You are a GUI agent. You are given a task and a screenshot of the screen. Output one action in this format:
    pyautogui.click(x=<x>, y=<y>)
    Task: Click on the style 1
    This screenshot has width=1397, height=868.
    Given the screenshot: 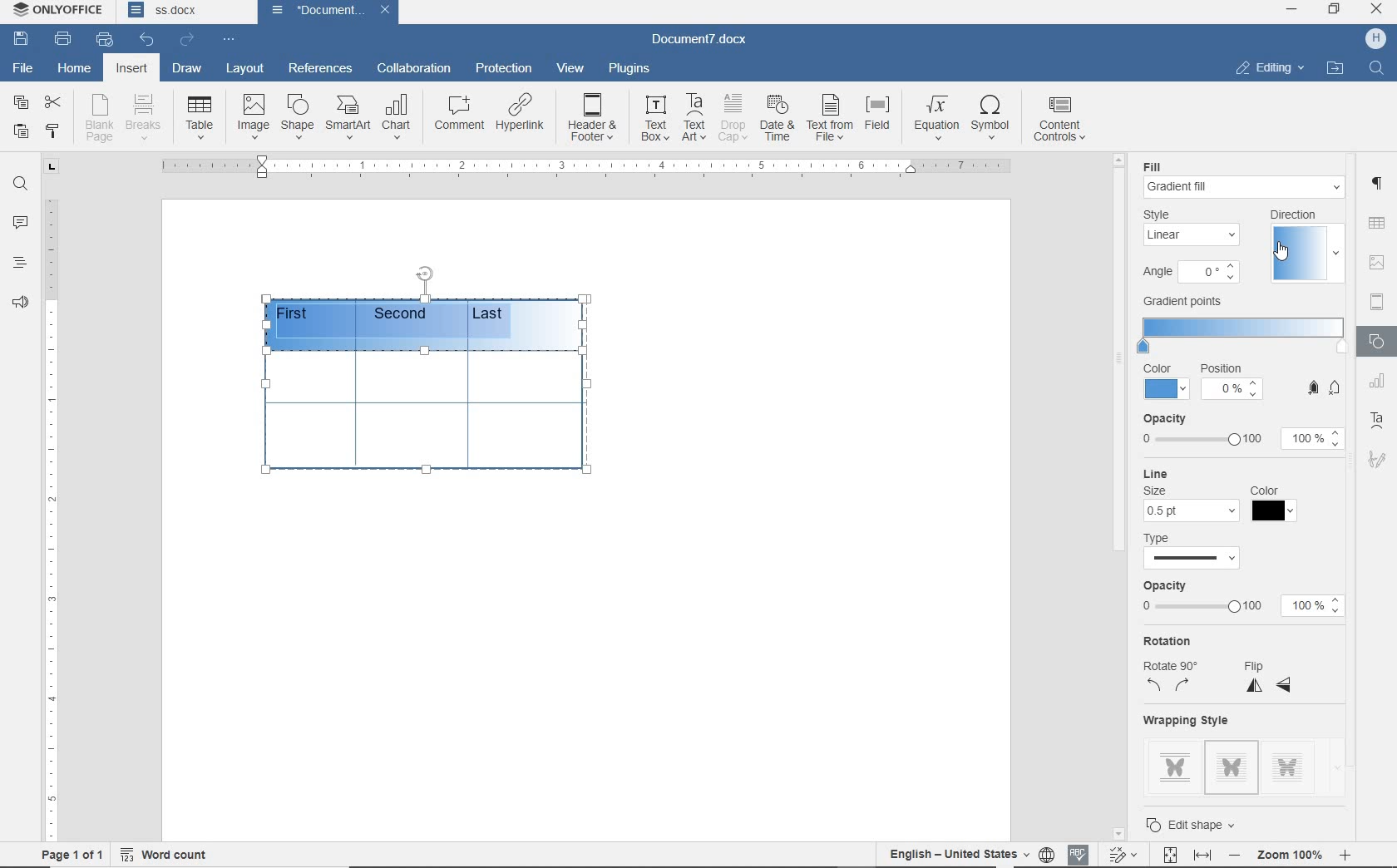 What is the action you would take?
    pyautogui.click(x=1177, y=767)
    